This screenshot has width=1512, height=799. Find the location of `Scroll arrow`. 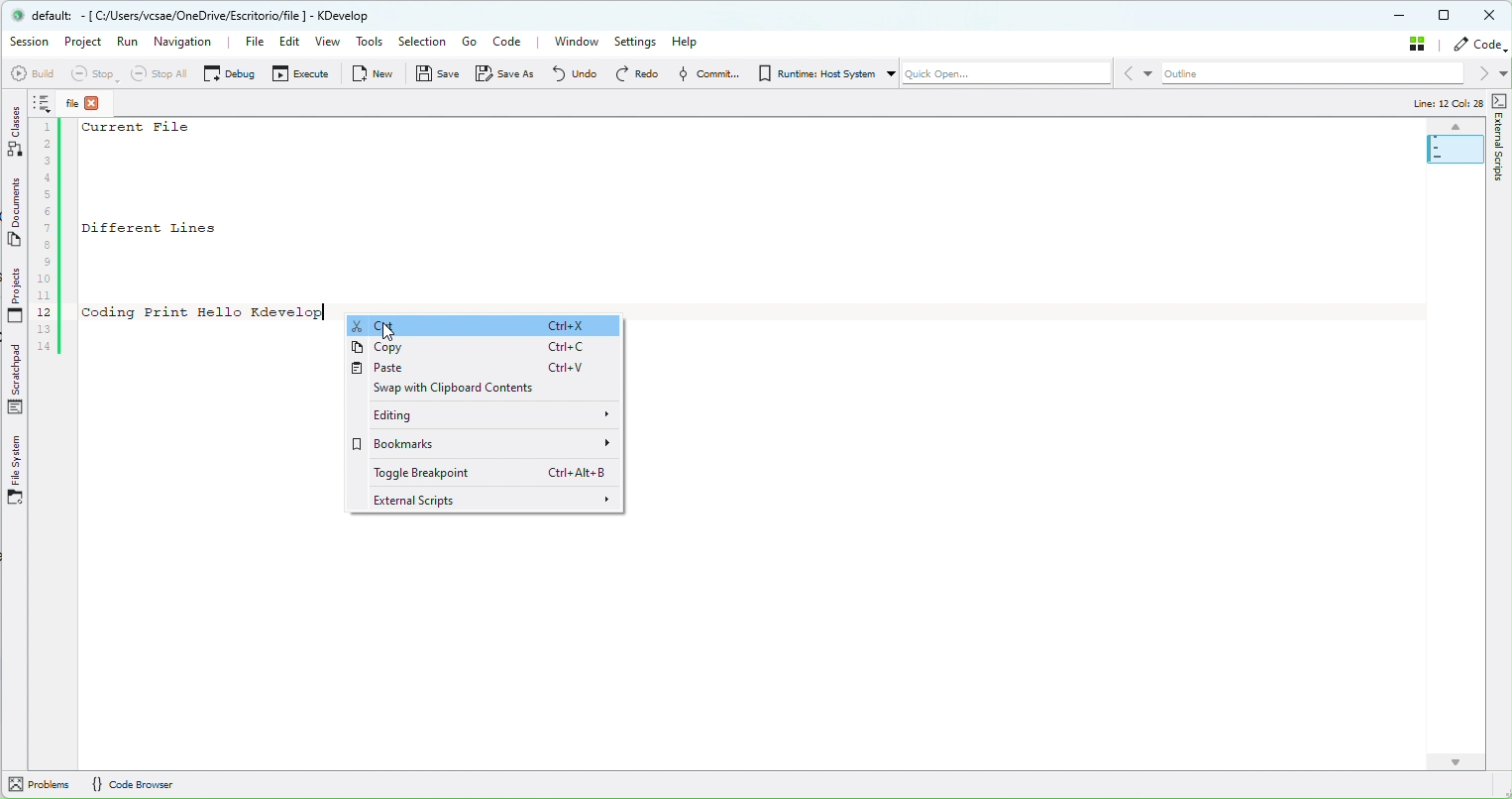

Scroll arrow is located at coordinates (1458, 760).